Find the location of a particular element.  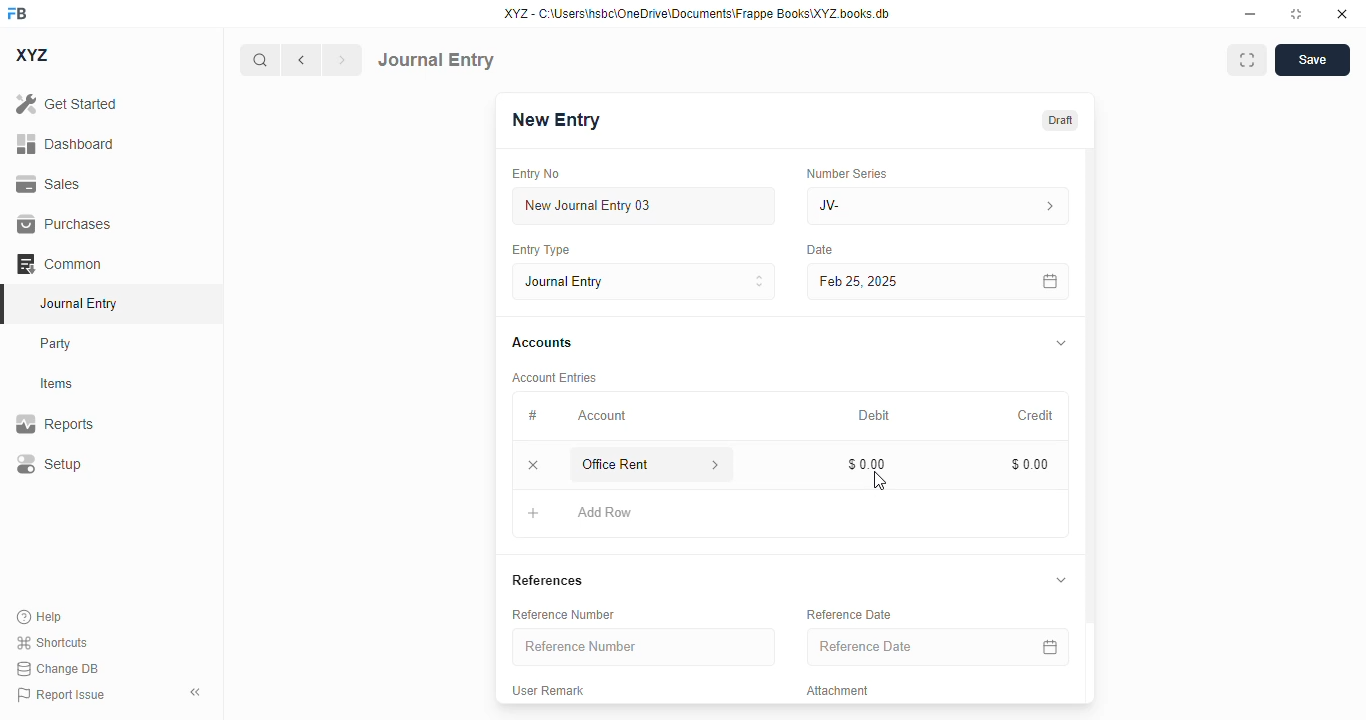

FB logo is located at coordinates (17, 12).